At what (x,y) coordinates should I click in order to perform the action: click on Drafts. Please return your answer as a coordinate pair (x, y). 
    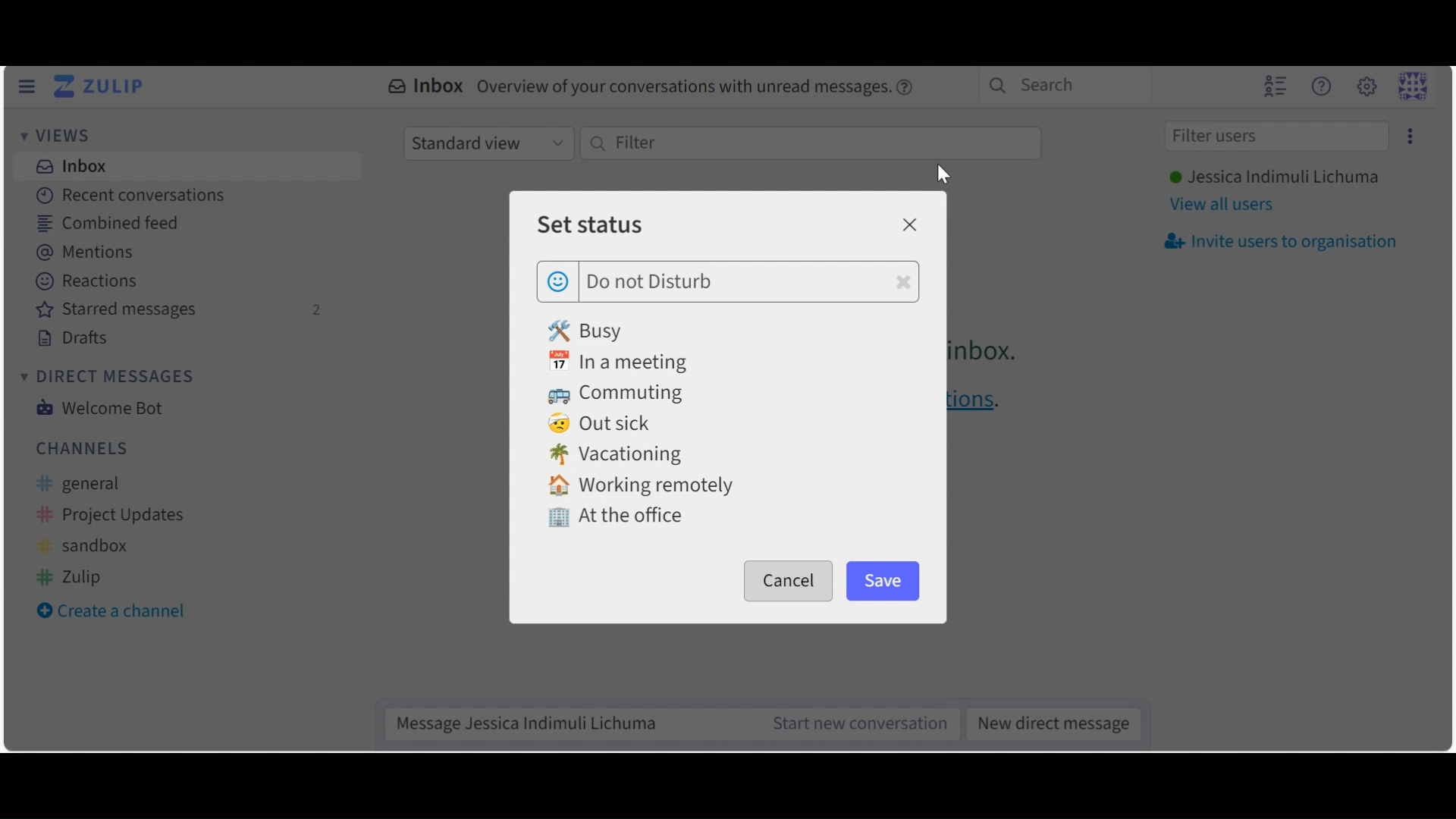
    Looking at the image, I should click on (74, 338).